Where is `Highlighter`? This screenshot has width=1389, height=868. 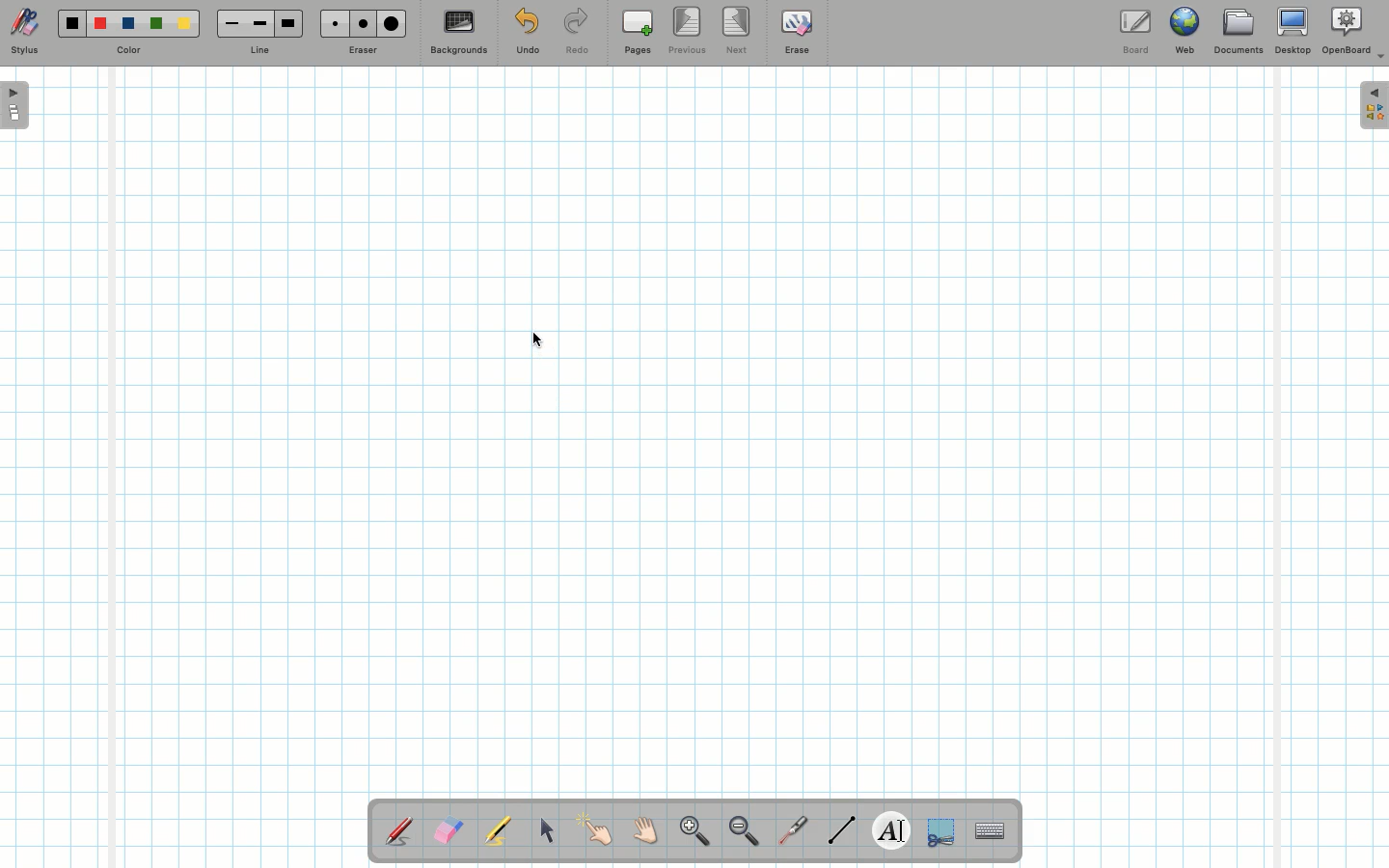
Highlighter is located at coordinates (496, 832).